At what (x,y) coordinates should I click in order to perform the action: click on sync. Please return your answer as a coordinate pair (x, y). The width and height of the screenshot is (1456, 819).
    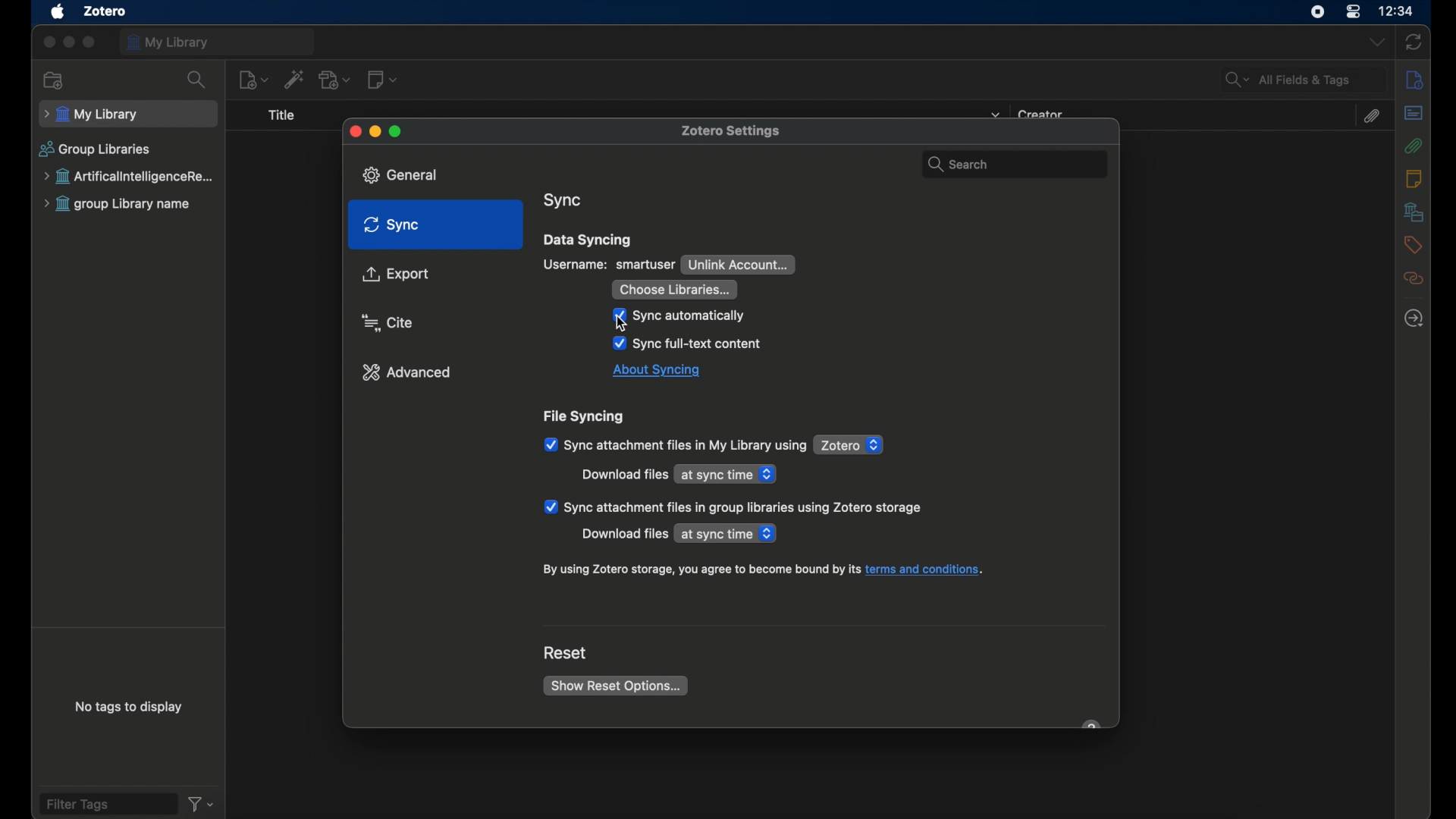
    Looking at the image, I should click on (391, 225).